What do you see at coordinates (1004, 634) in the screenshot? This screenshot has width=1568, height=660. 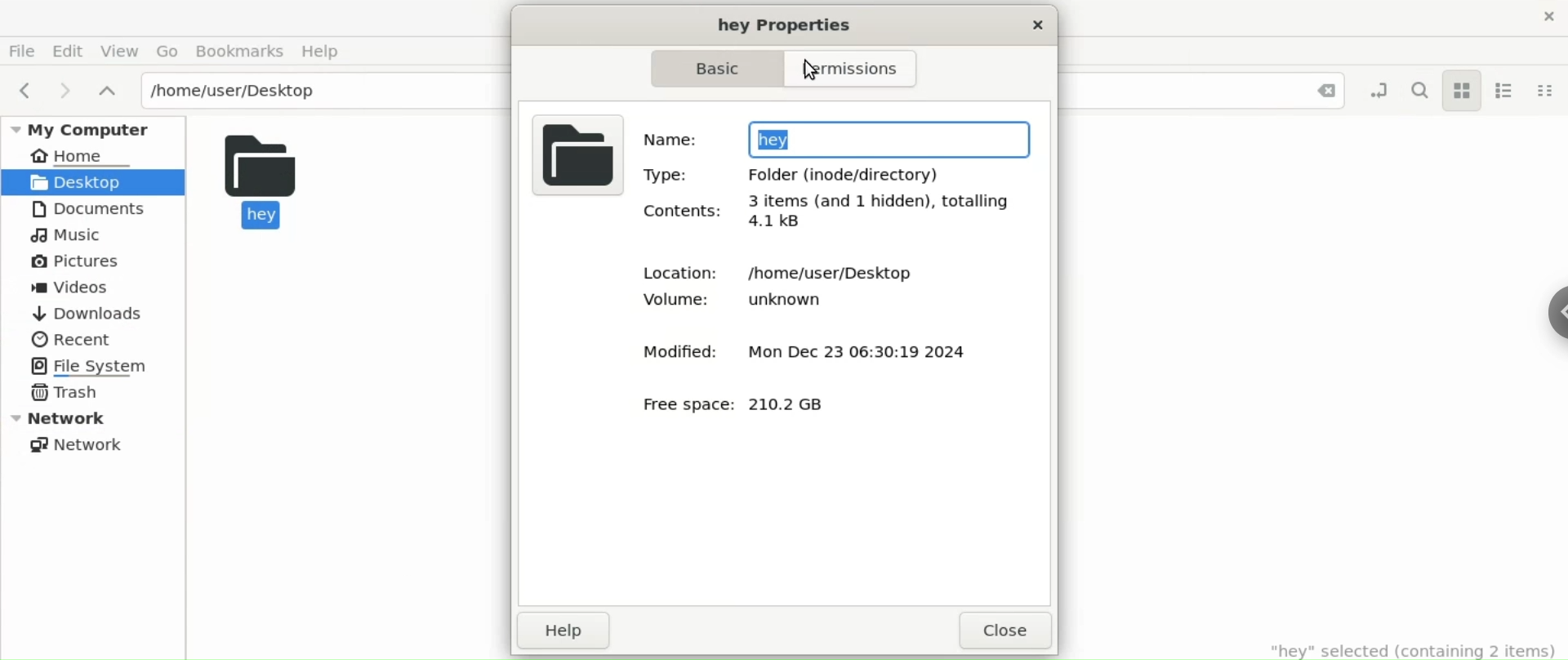 I see `Close` at bounding box center [1004, 634].